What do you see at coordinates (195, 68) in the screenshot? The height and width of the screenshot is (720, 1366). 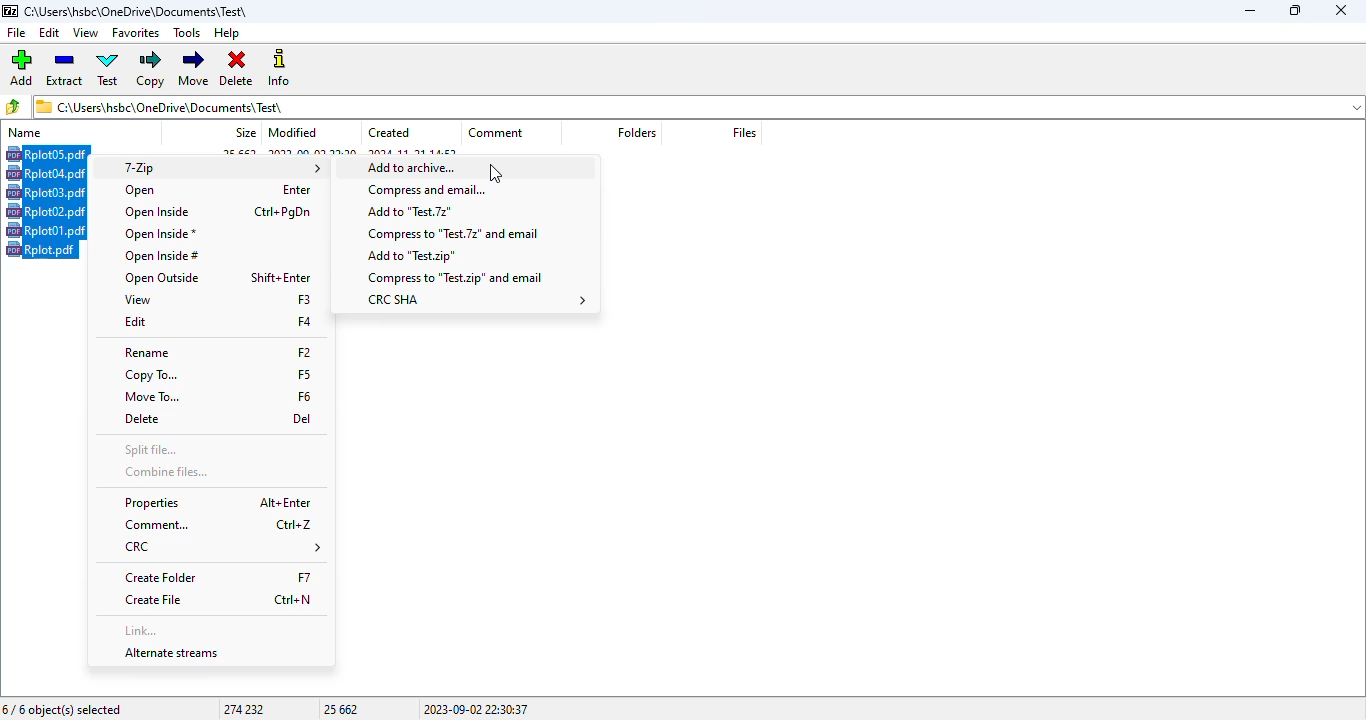 I see `move` at bounding box center [195, 68].